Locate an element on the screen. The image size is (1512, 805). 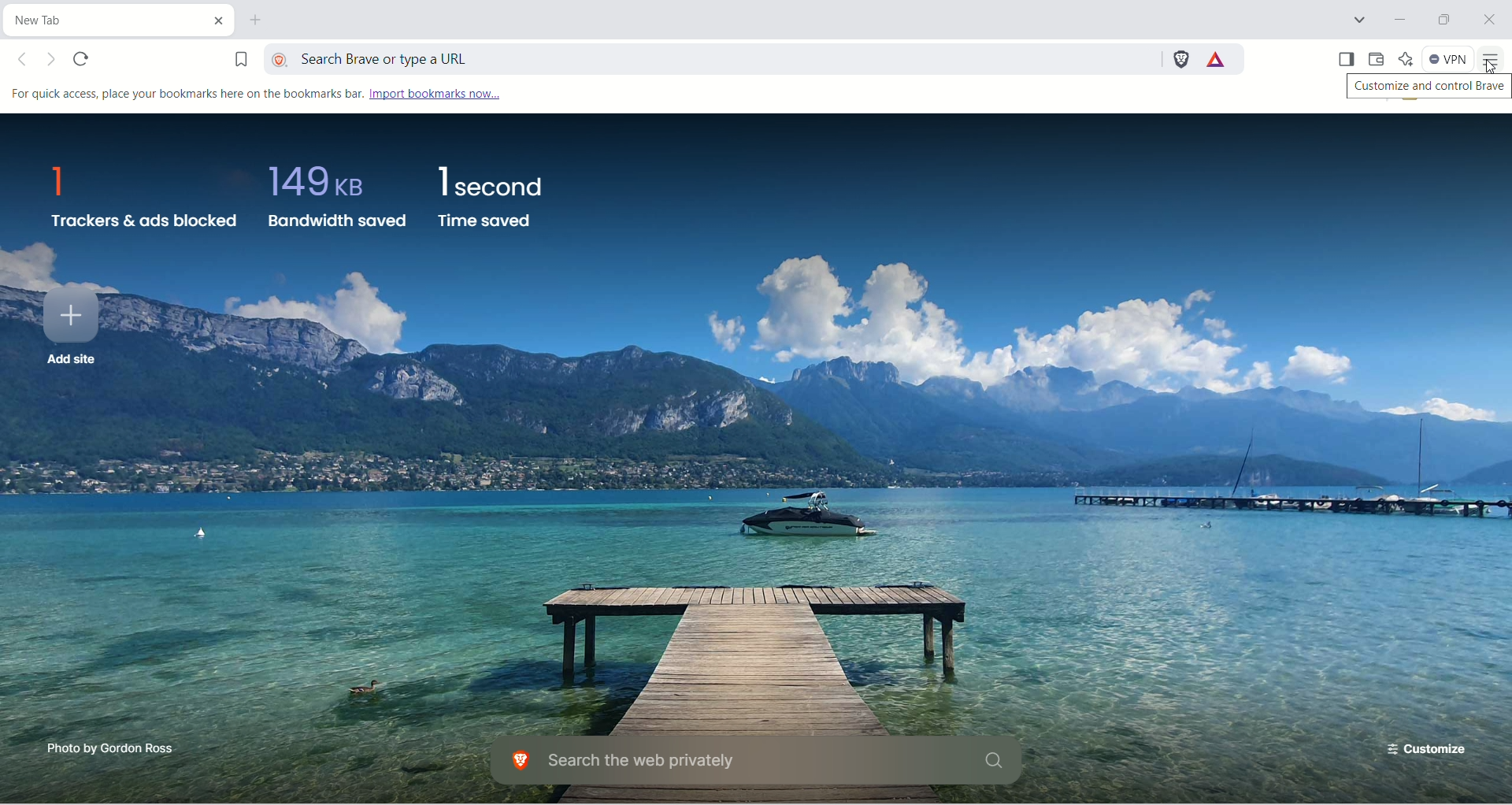
bookmark is located at coordinates (231, 56).